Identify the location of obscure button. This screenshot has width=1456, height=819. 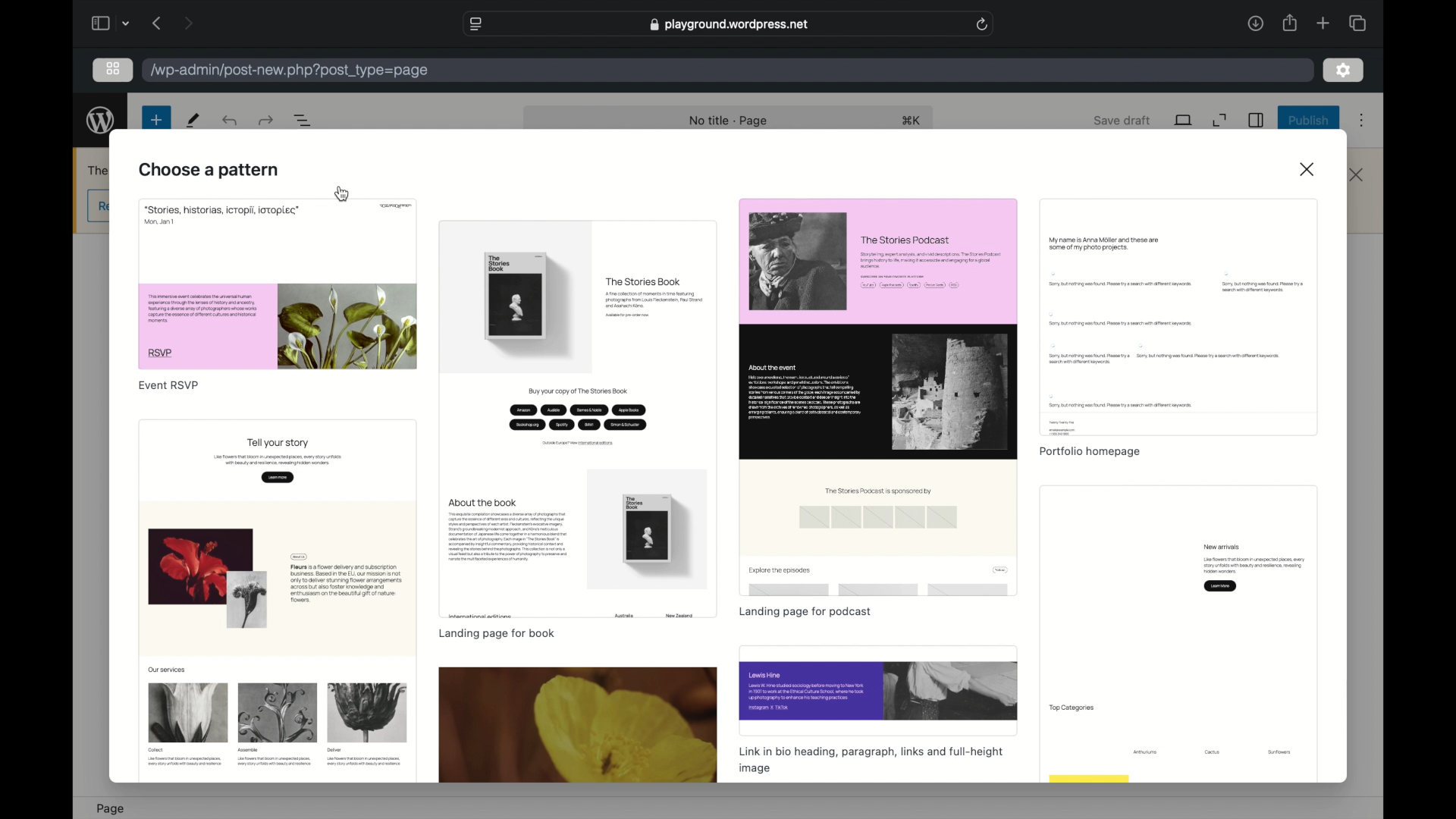
(96, 206).